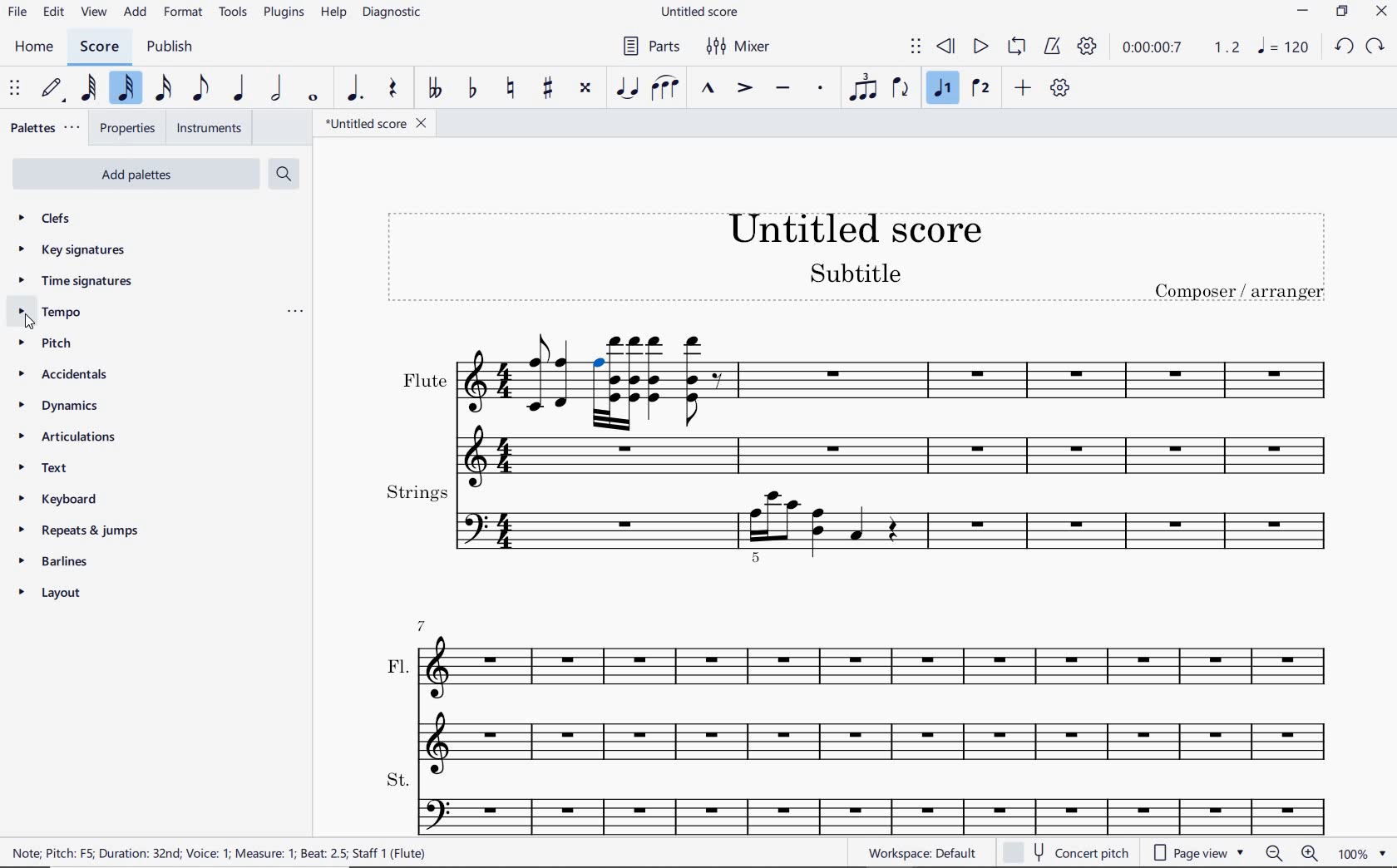 The height and width of the screenshot is (868, 1397). Describe the element at coordinates (81, 279) in the screenshot. I see `time signatures` at that location.